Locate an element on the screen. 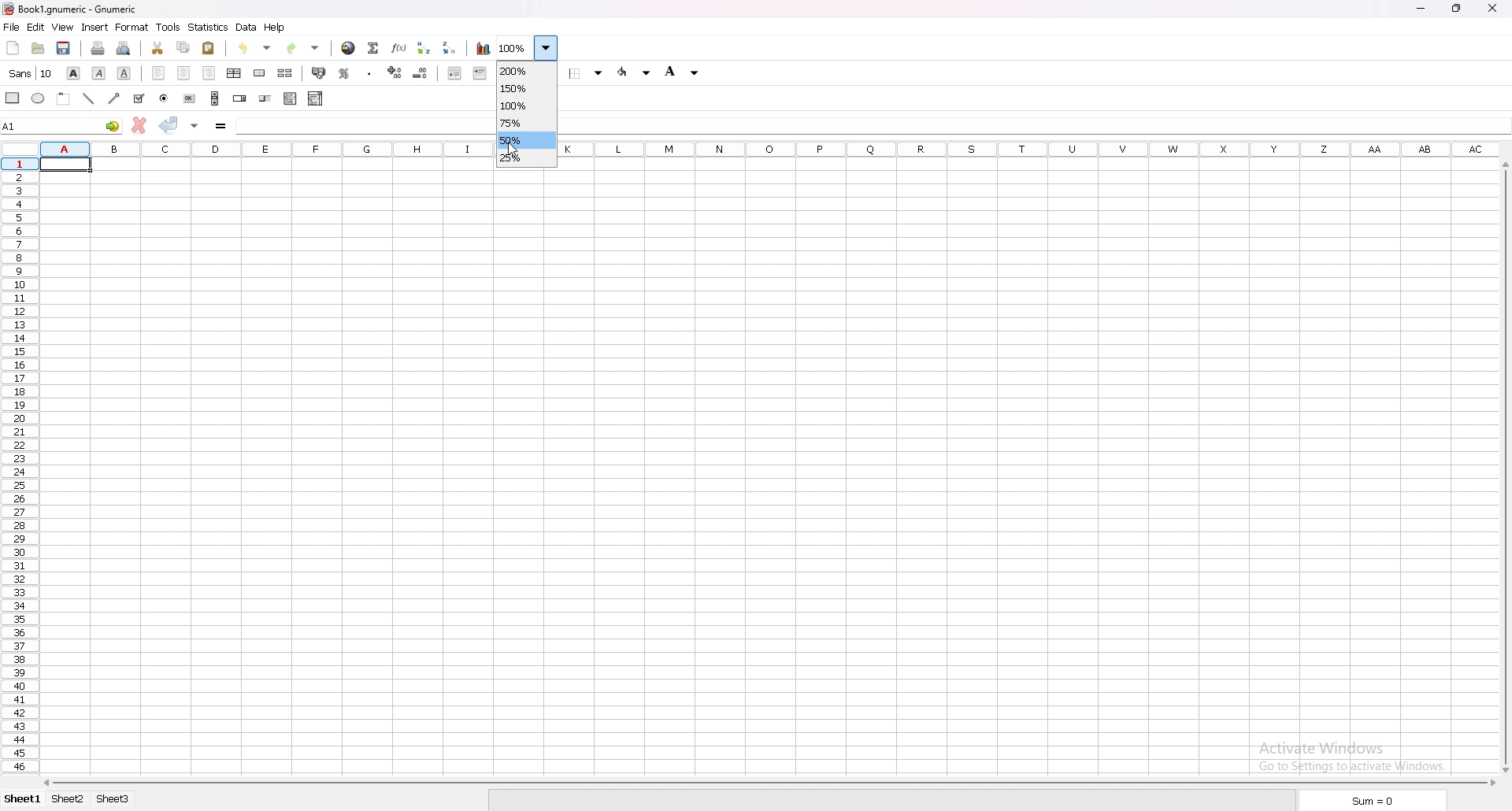 This screenshot has height=811, width=1512. columns is located at coordinates (265, 149).